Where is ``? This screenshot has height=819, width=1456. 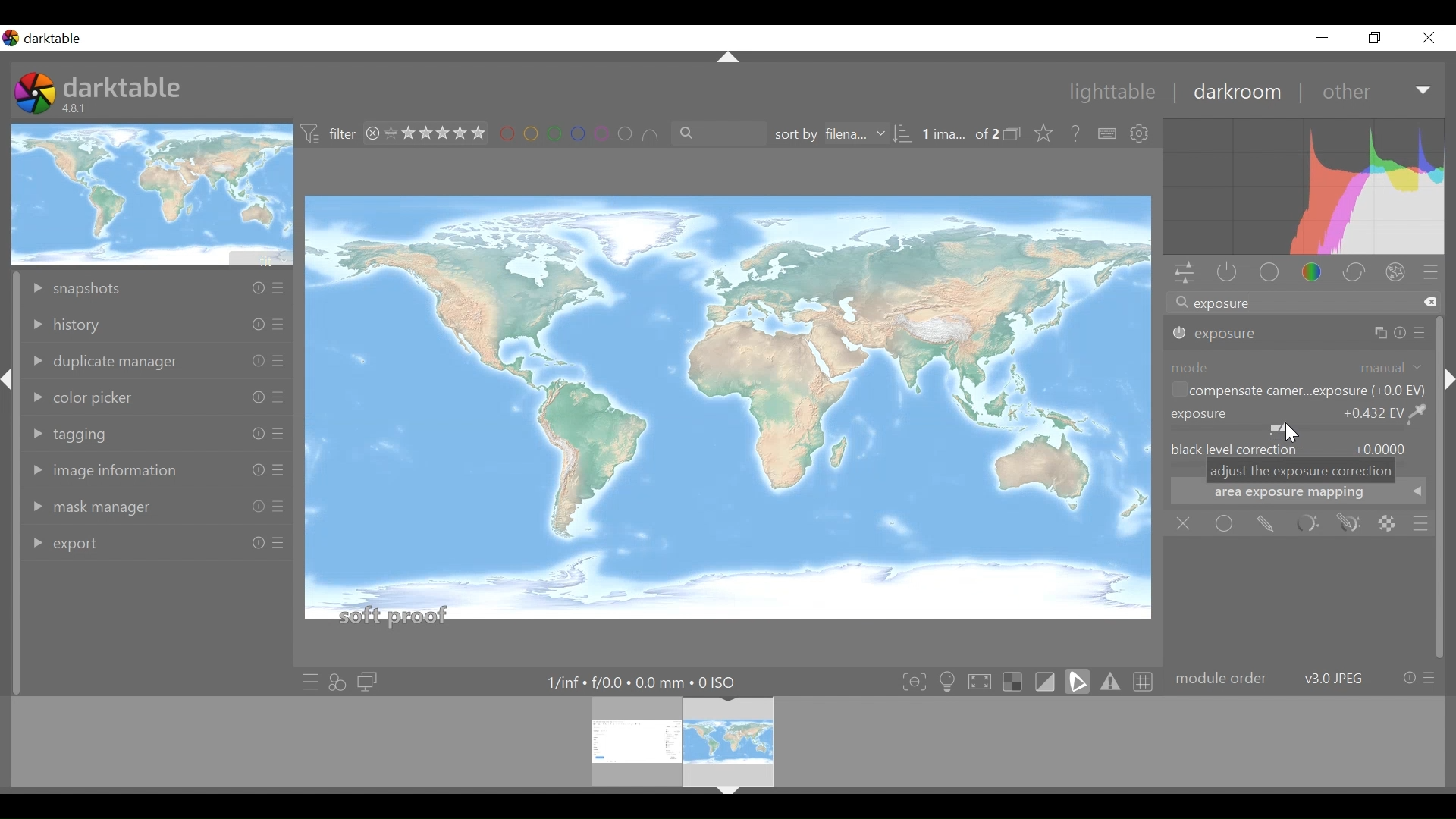
 is located at coordinates (255, 288).